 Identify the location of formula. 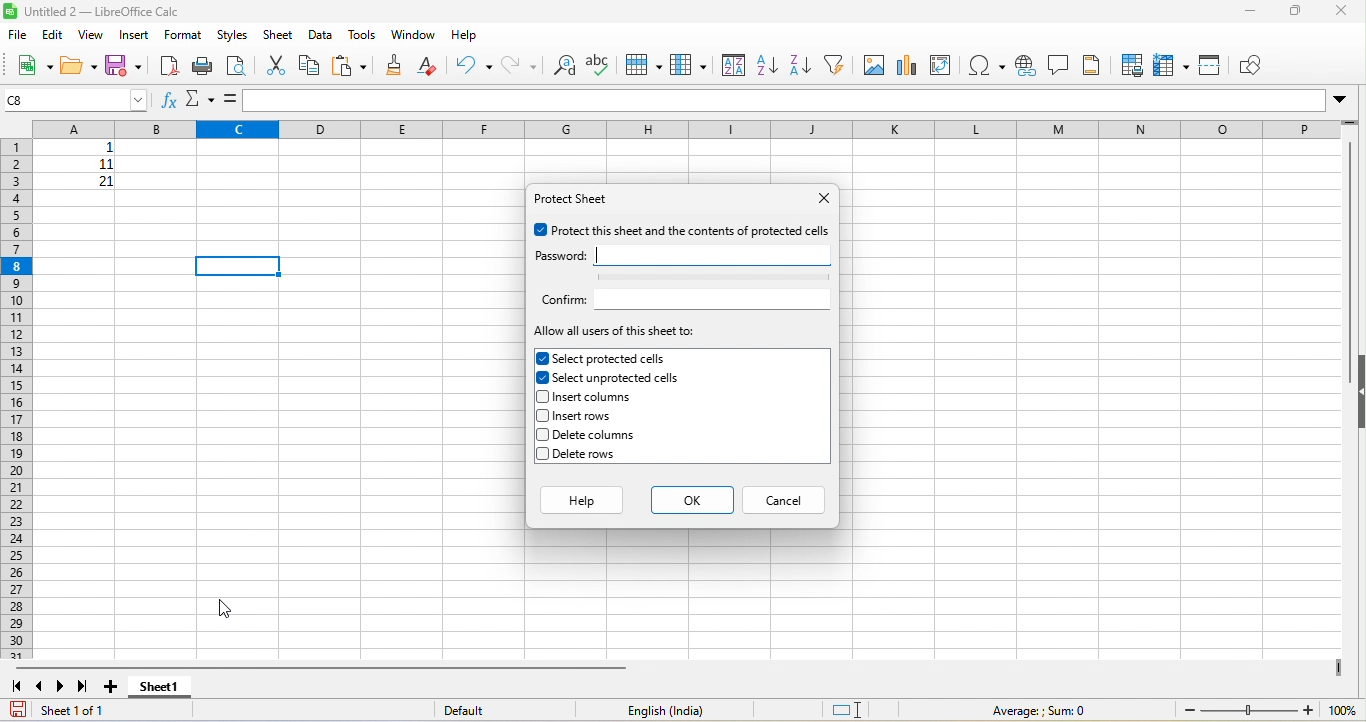
(1036, 710).